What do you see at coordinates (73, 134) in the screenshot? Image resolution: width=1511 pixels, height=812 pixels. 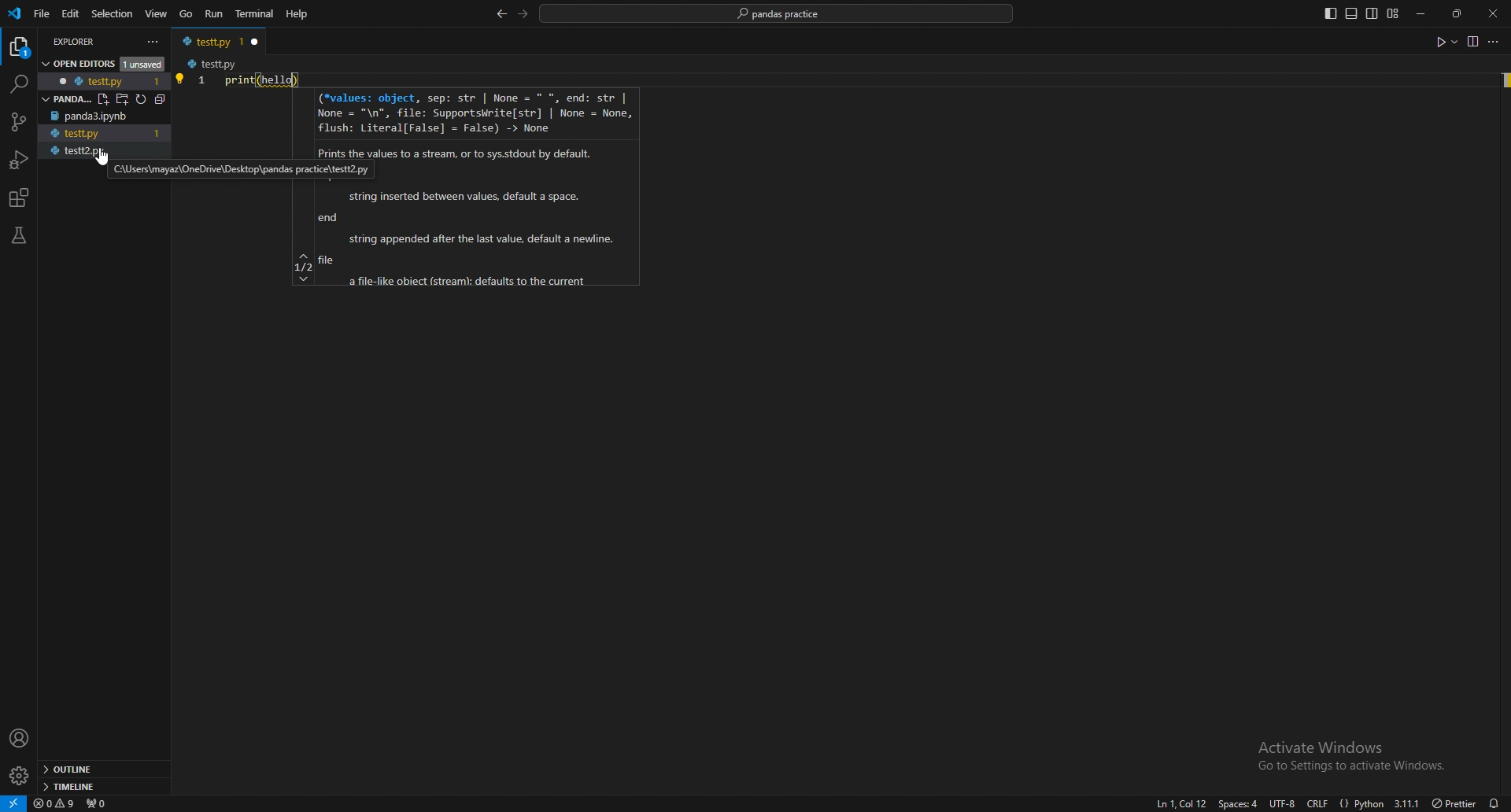 I see `testt.py` at bounding box center [73, 134].